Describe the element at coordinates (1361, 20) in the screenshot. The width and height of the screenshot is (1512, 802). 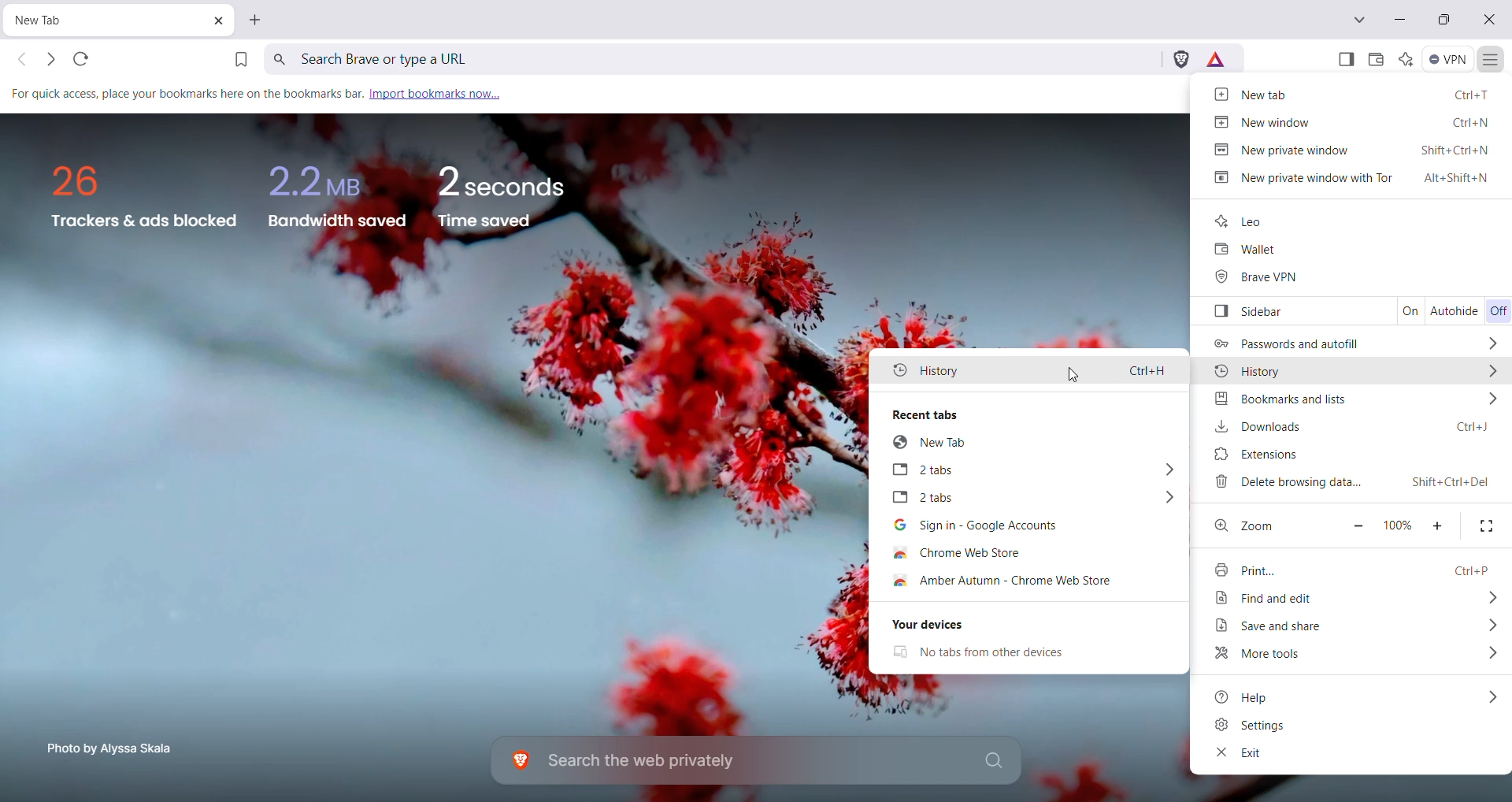
I see `Search Tabs` at that location.